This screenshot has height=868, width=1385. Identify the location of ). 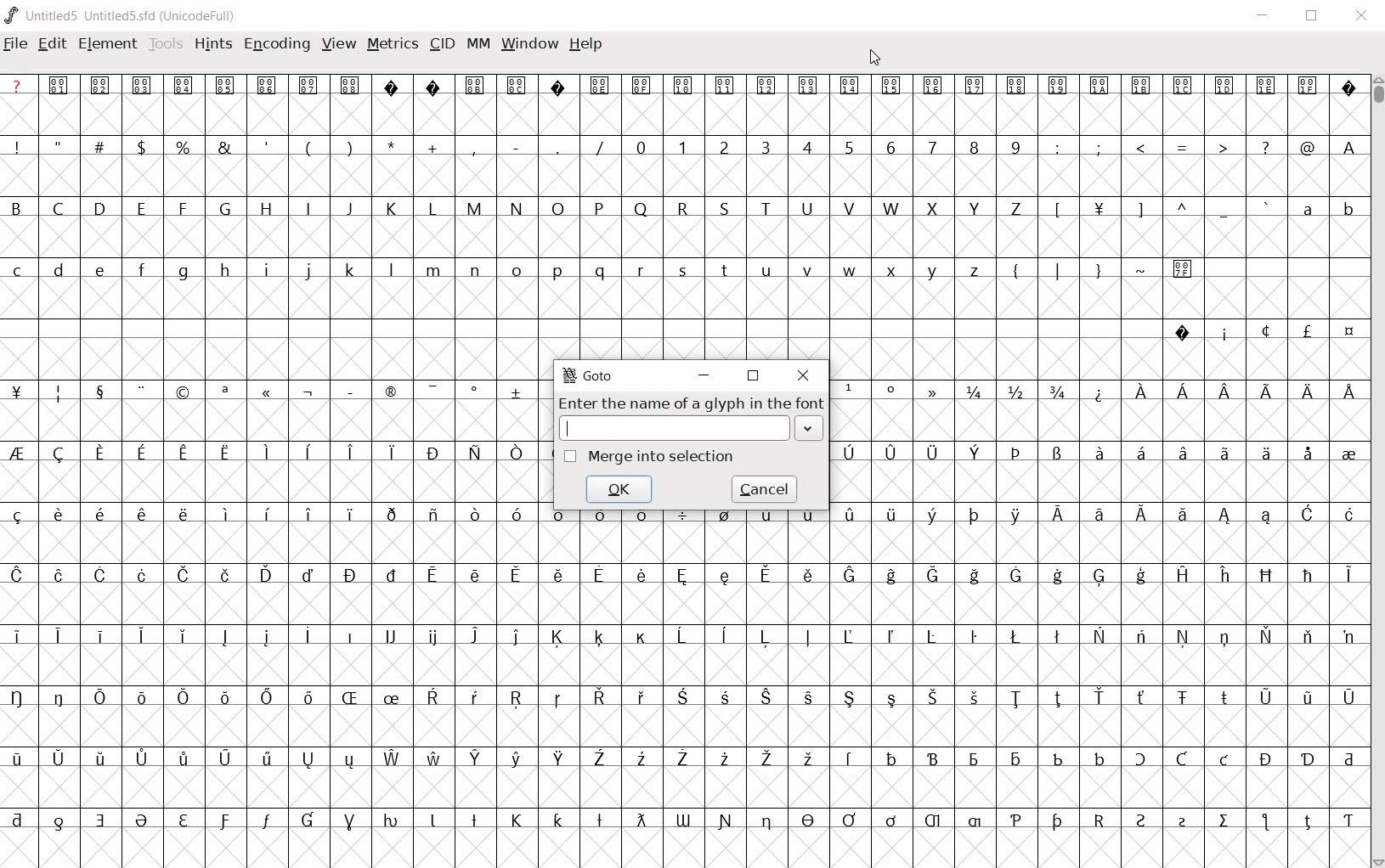
(352, 146).